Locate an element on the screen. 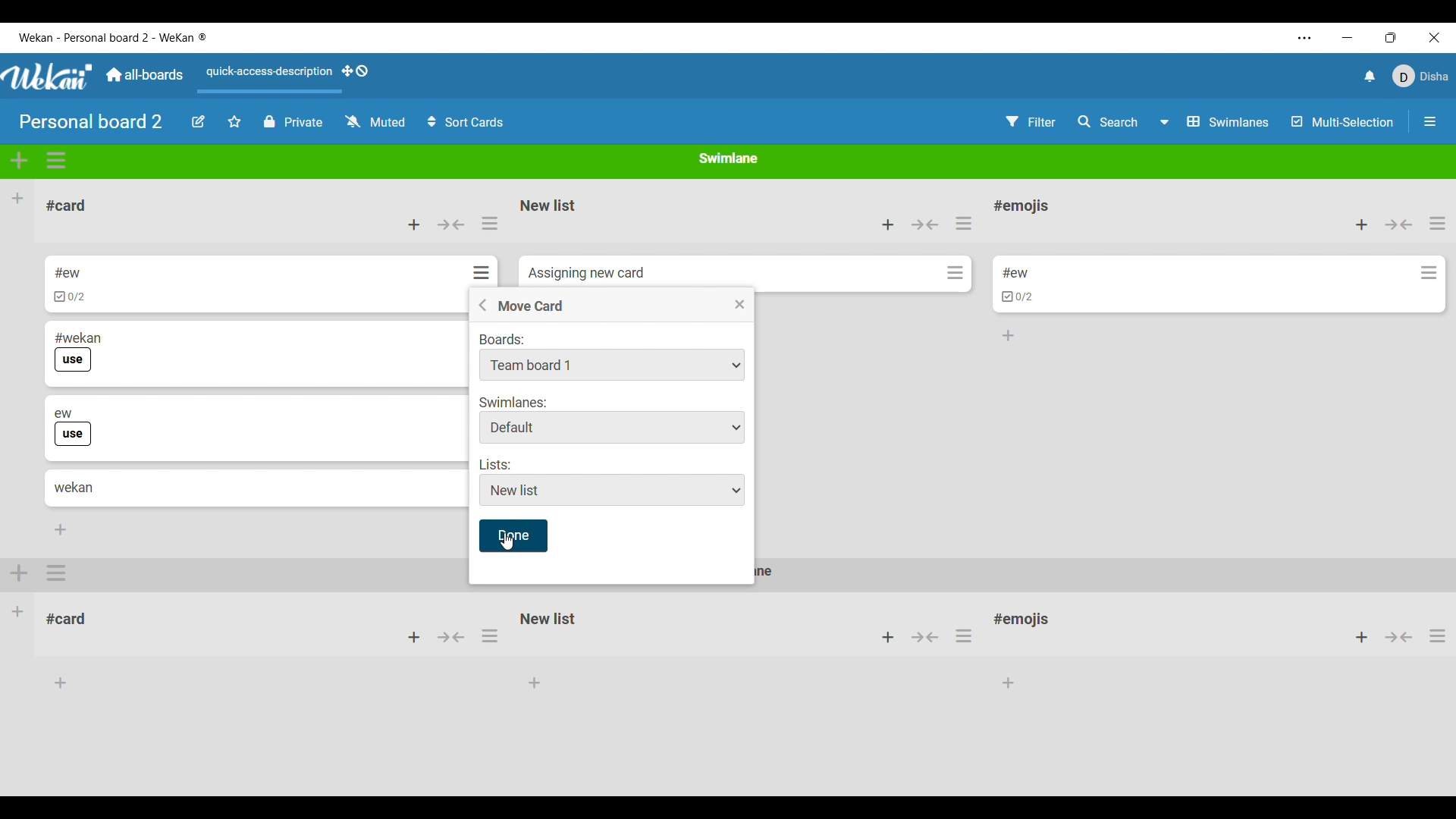 Image resolution: width=1456 pixels, height=819 pixels. List actions is located at coordinates (1438, 223).